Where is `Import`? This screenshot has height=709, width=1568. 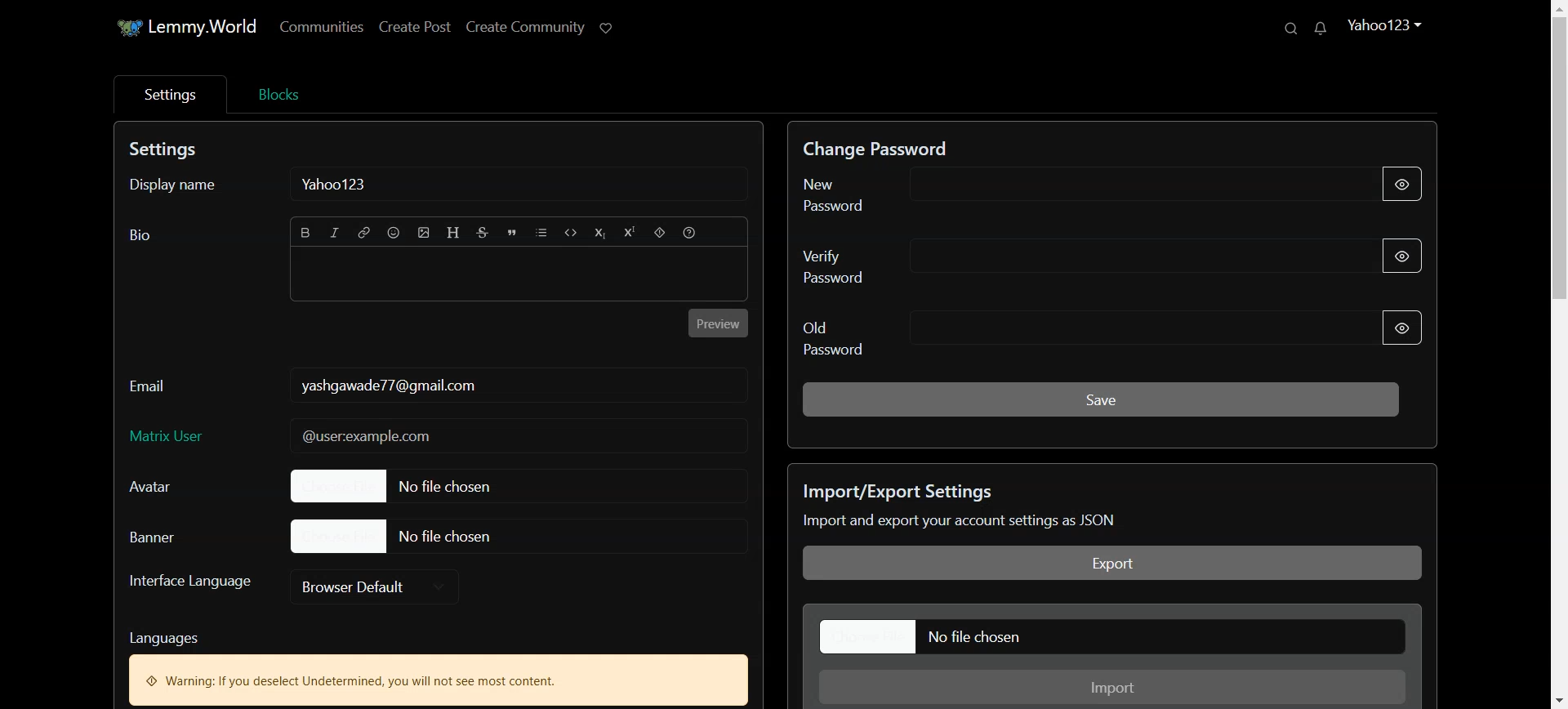 Import is located at coordinates (1115, 688).